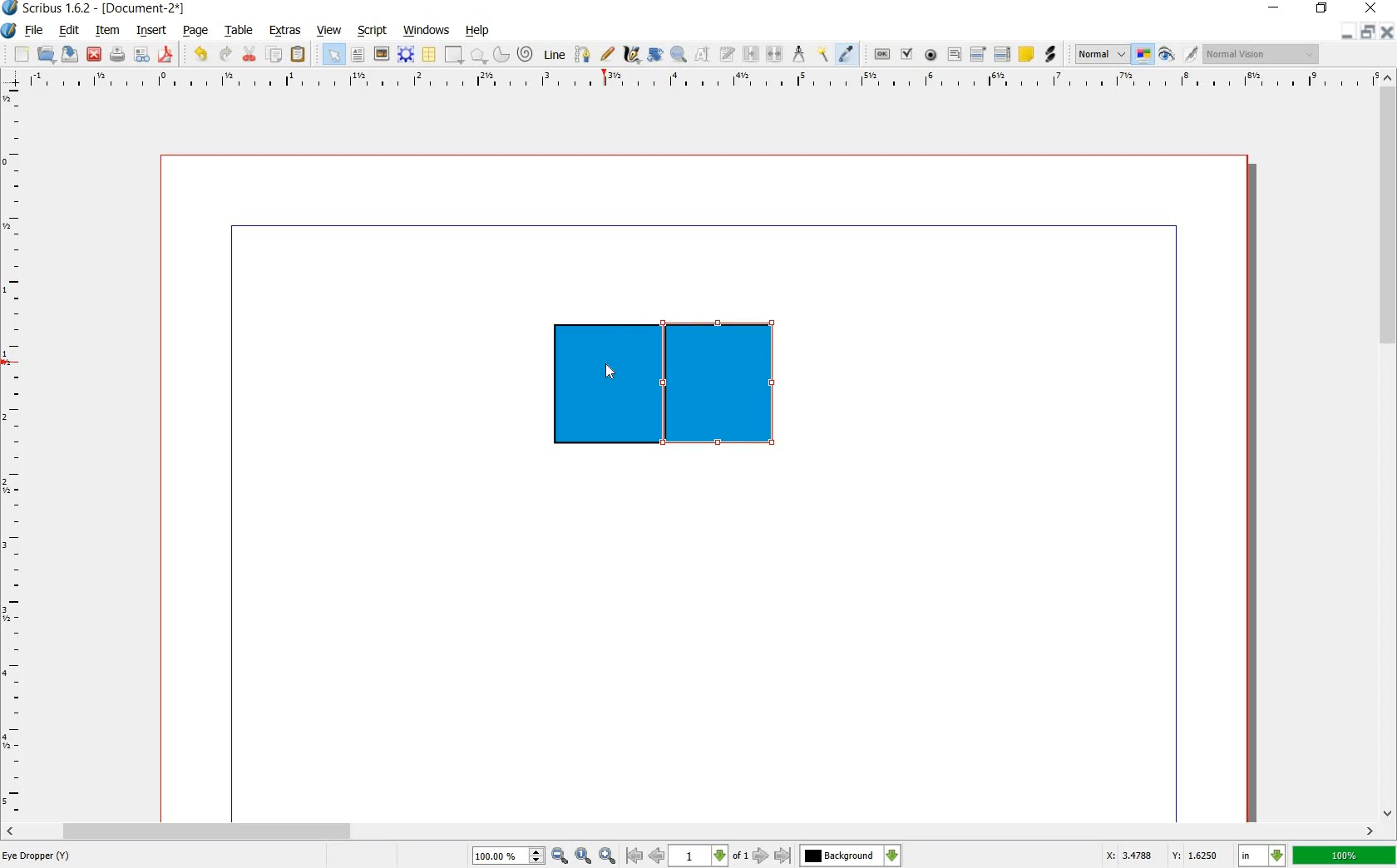 The image size is (1397, 868). What do you see at coordinates (45, 54) in the screenshot?
I see `open` at bounding box center [45, 54].